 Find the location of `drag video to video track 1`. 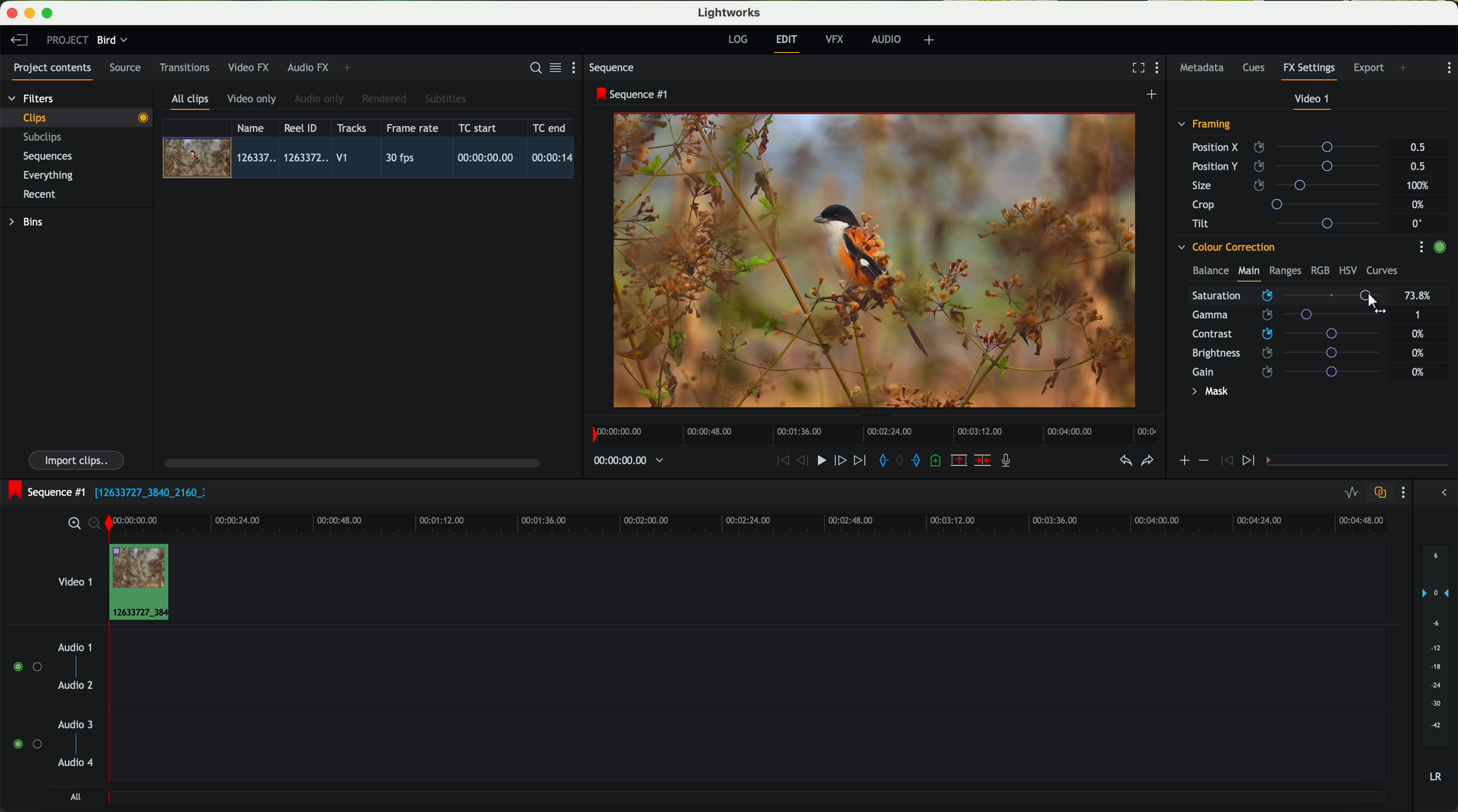

drag video to video track 1 is located at coordinates (144, 583).